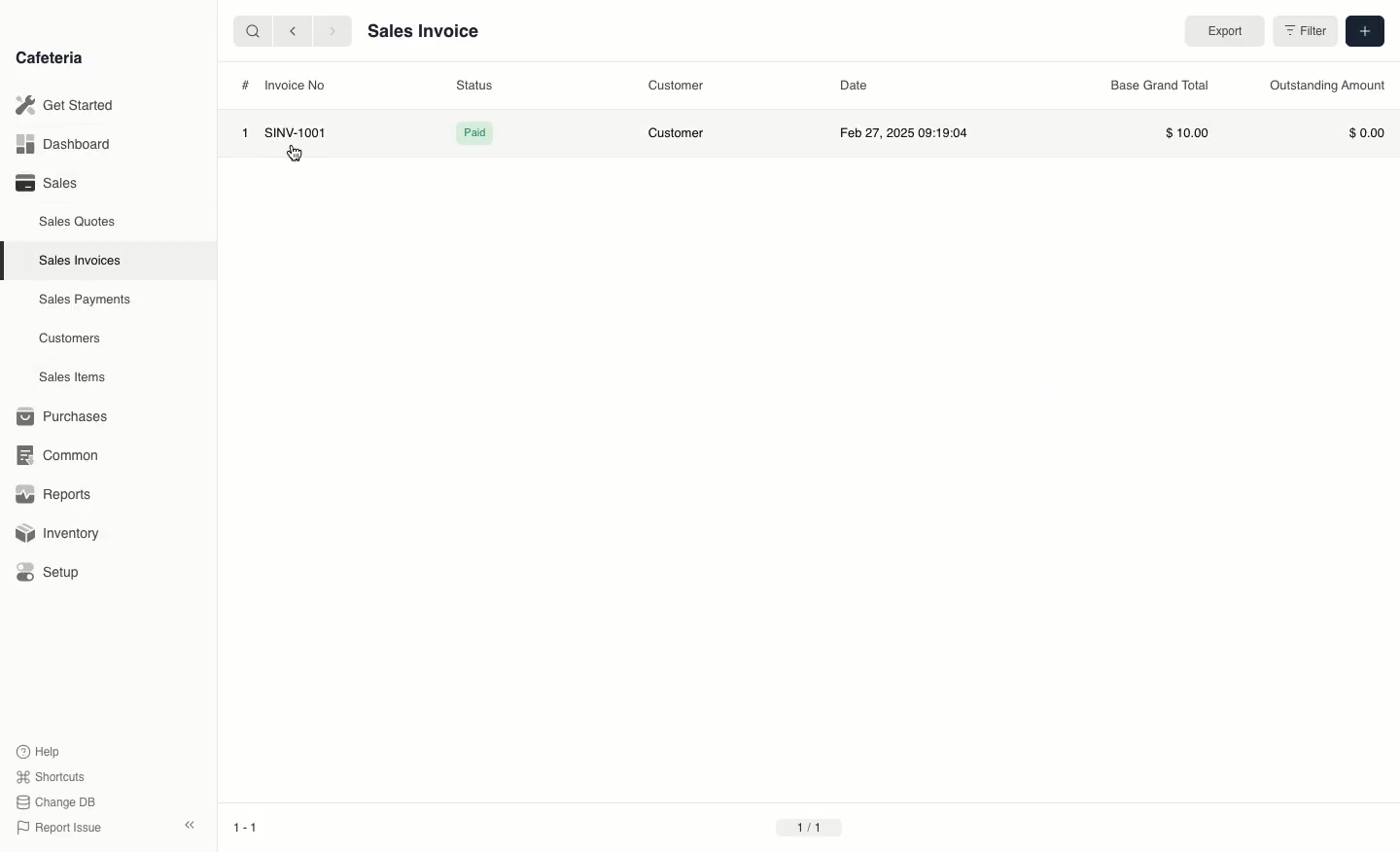 Image resolution: width=1400 pixels, height=852 pixels. Describe the element at coordinates (245, 827) in the screenshot. I see `1-1` at that location.